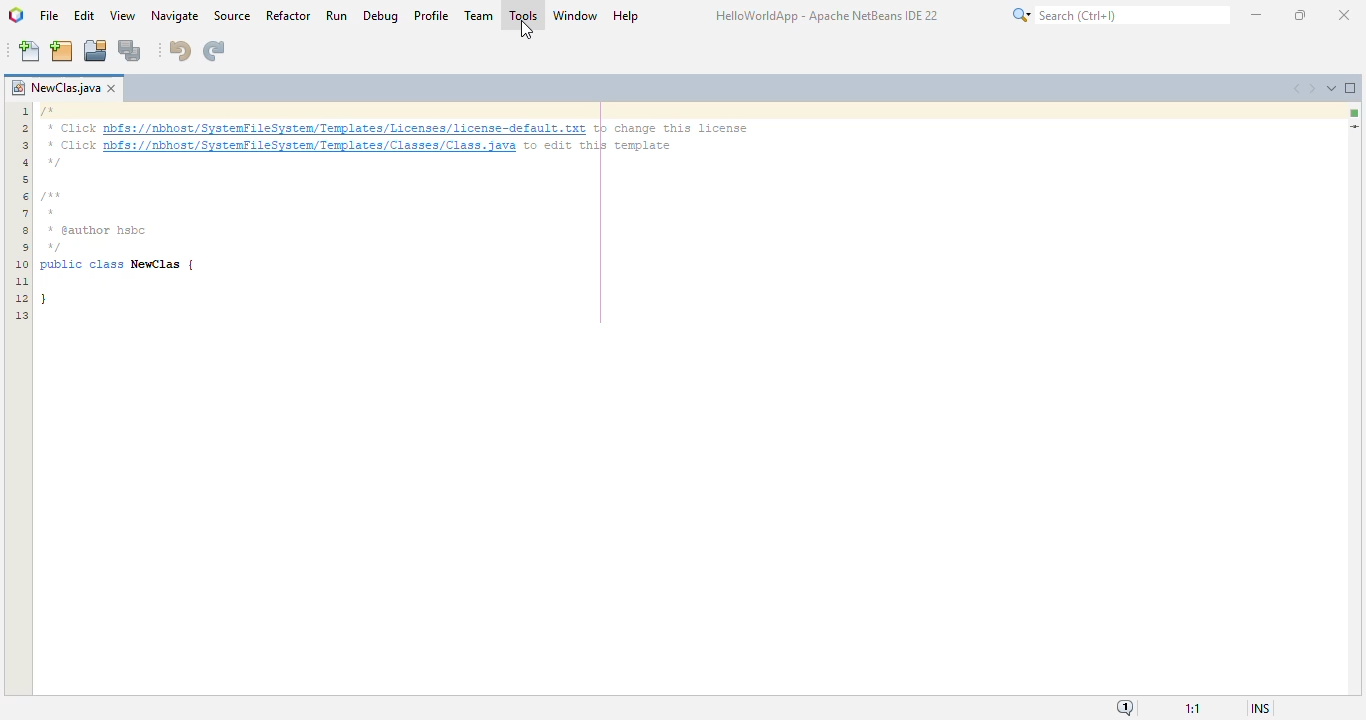 The width and height of the screenshot is (1366, 720). Describe the element at coordinates (336, 15) in the screenshot. I see `run` at that location.